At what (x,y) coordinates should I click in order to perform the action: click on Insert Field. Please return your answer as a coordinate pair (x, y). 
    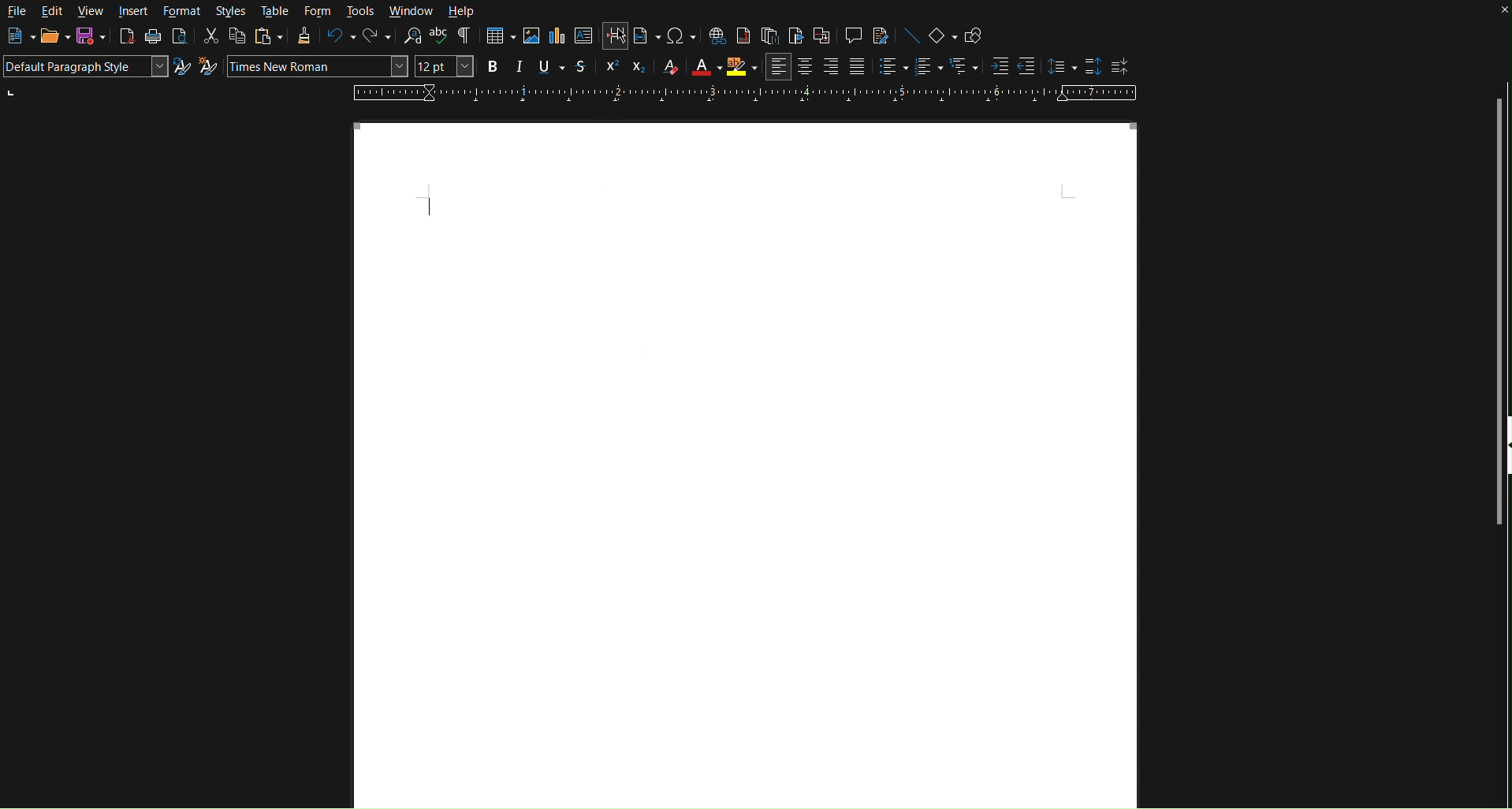
    Looking at the image, I should click on (642, 36).